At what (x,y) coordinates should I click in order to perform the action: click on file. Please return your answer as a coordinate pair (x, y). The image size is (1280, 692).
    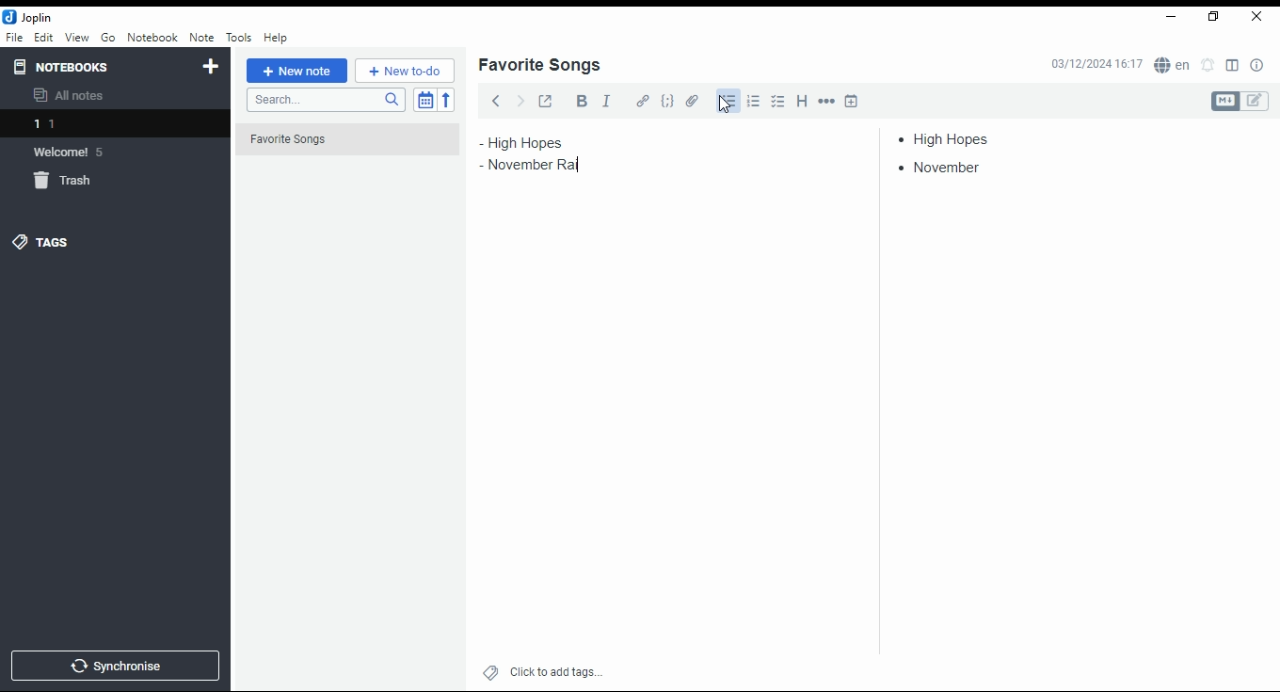
    Looking at the image, I should click on (14, 36).